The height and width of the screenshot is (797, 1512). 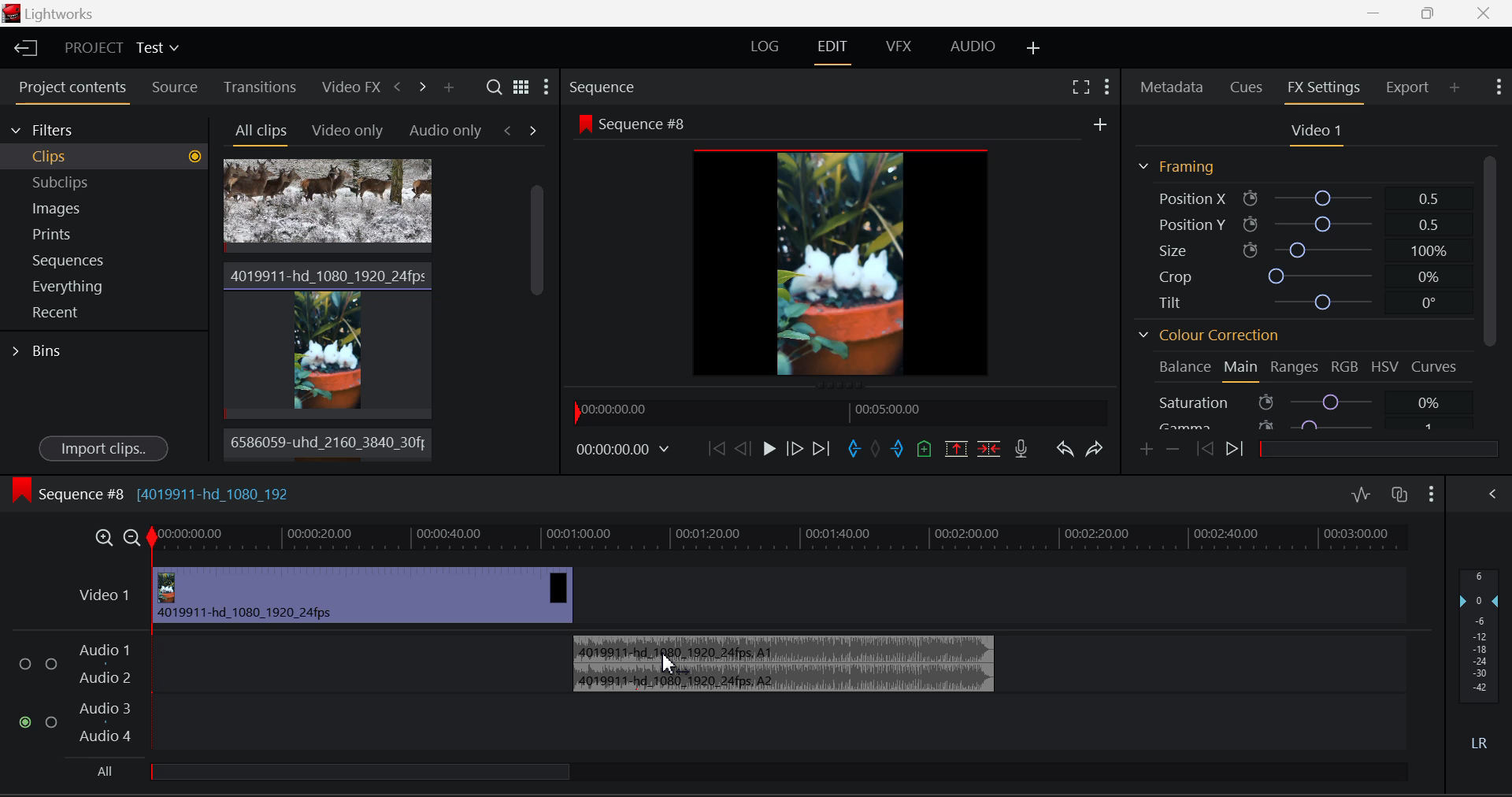 What do you see at coordinates (106, 287) in the screenshot?
I see `Everything` at bounding box center [106, 287].